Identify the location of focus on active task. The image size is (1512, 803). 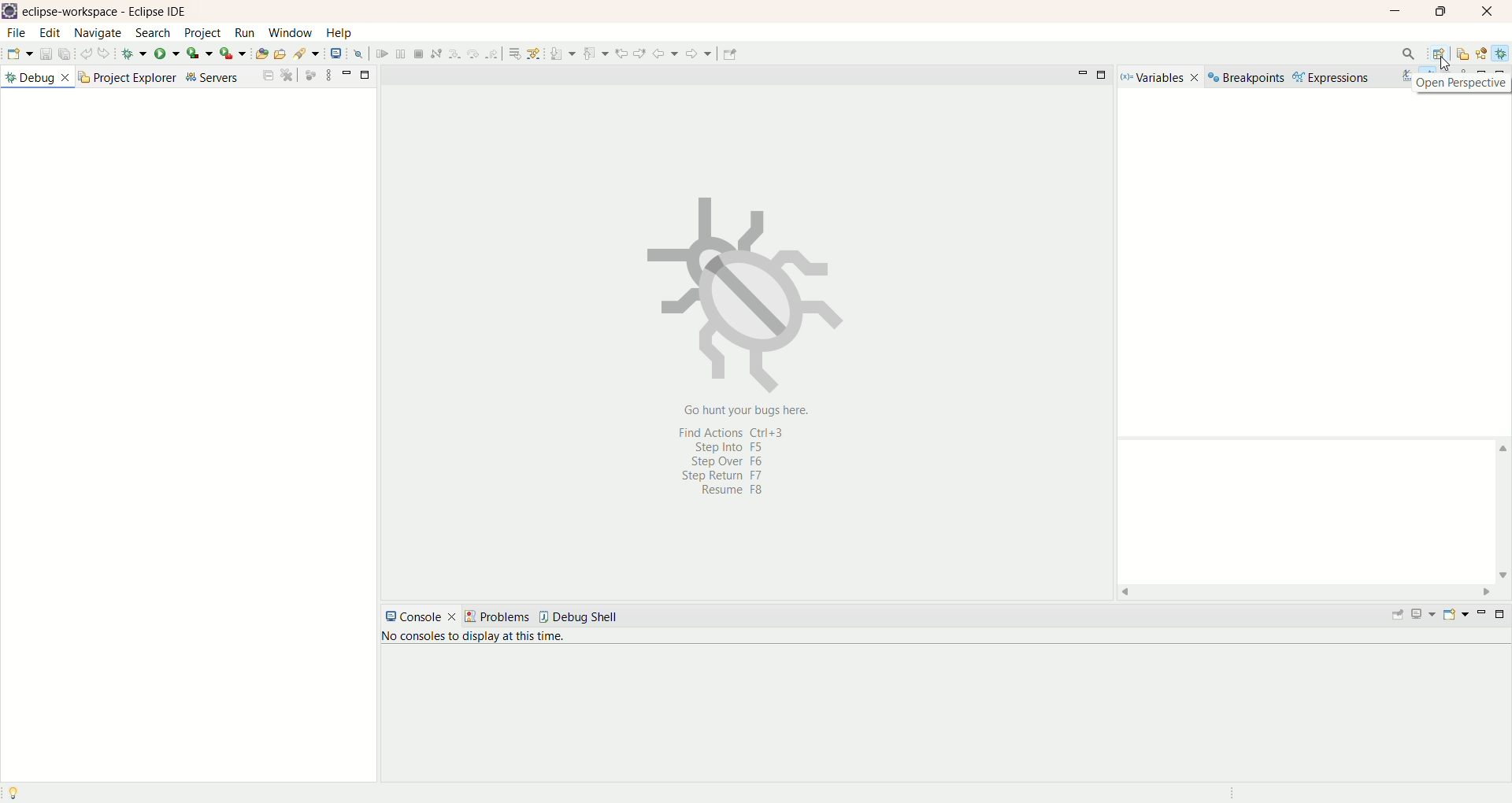
(311, 74).